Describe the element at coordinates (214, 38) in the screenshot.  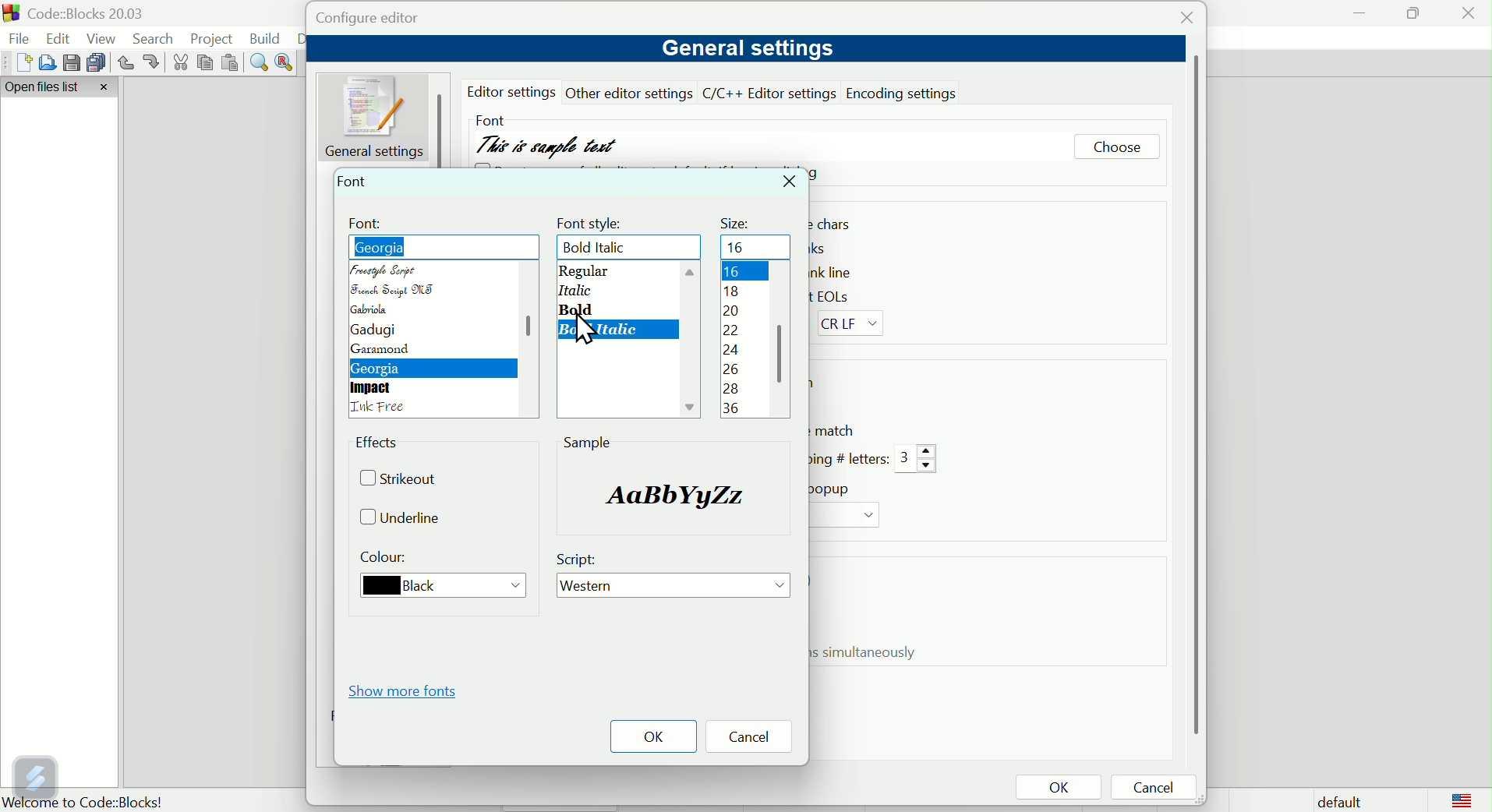
I see `Project` at that location.